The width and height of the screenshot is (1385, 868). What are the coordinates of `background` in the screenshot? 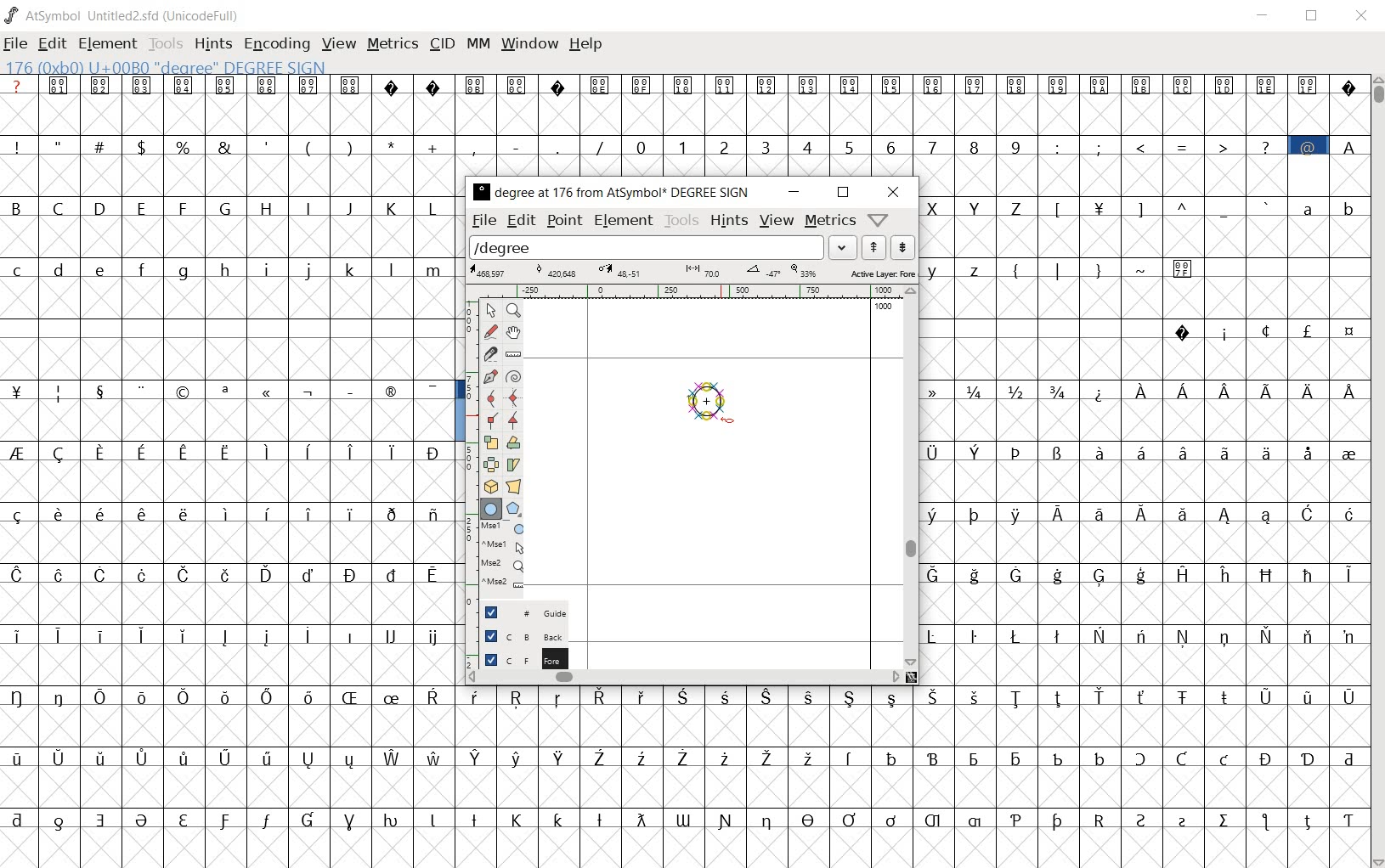 It's located at (514, 638).